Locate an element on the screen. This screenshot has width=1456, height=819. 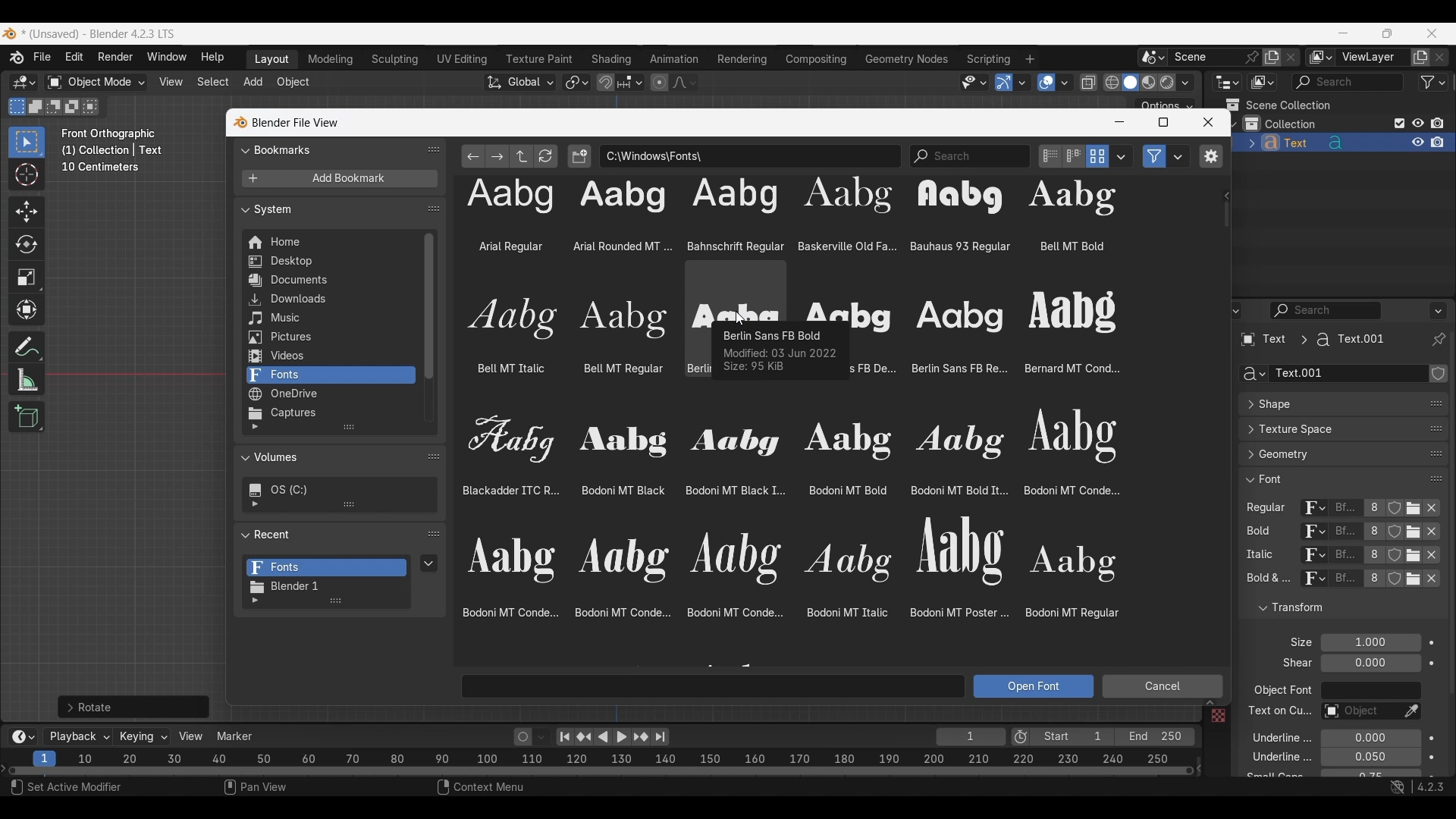
Change order in list is located at coordinates (434, 456).